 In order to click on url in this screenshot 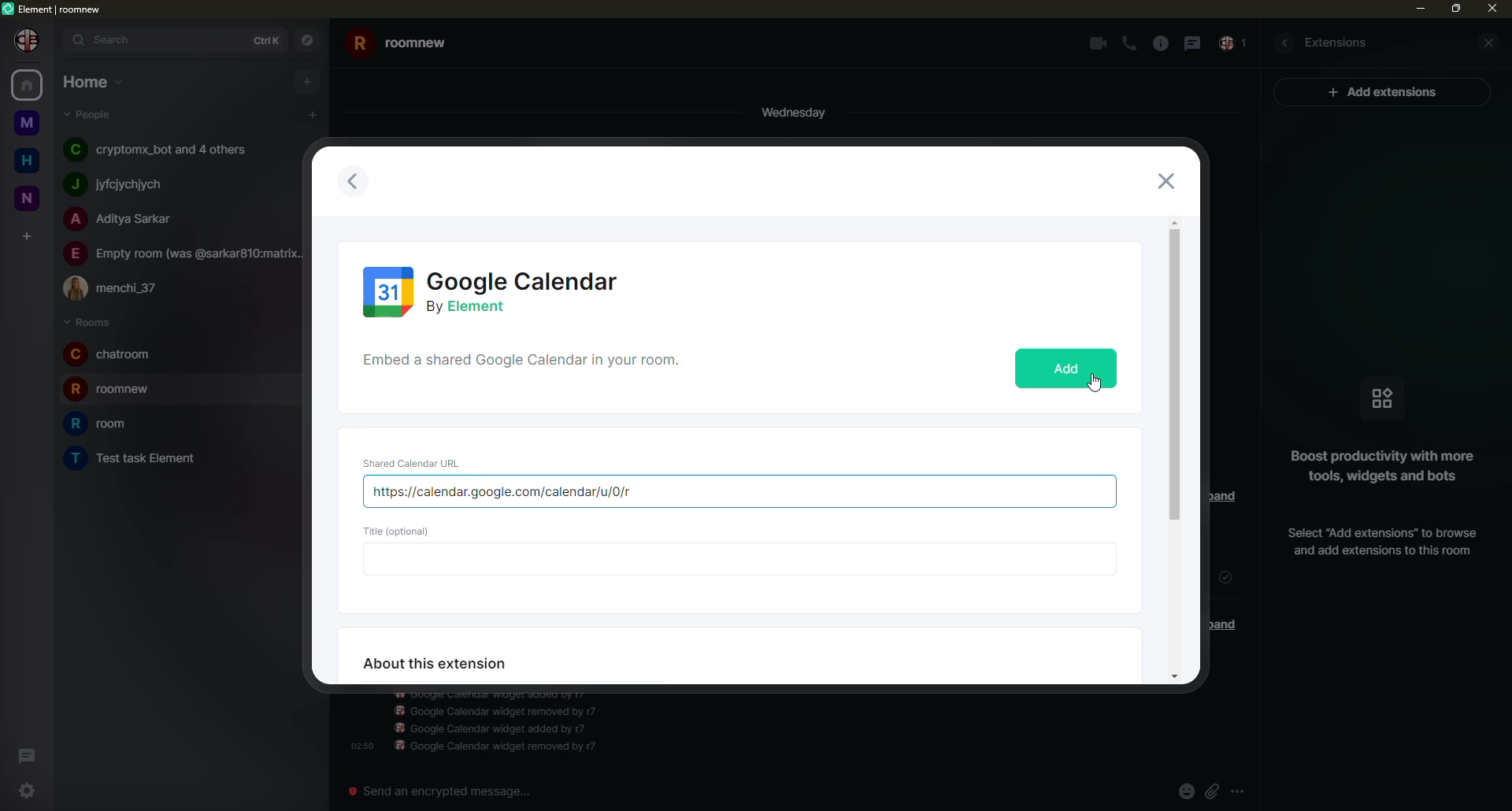, I will do `click(531, 494)`.